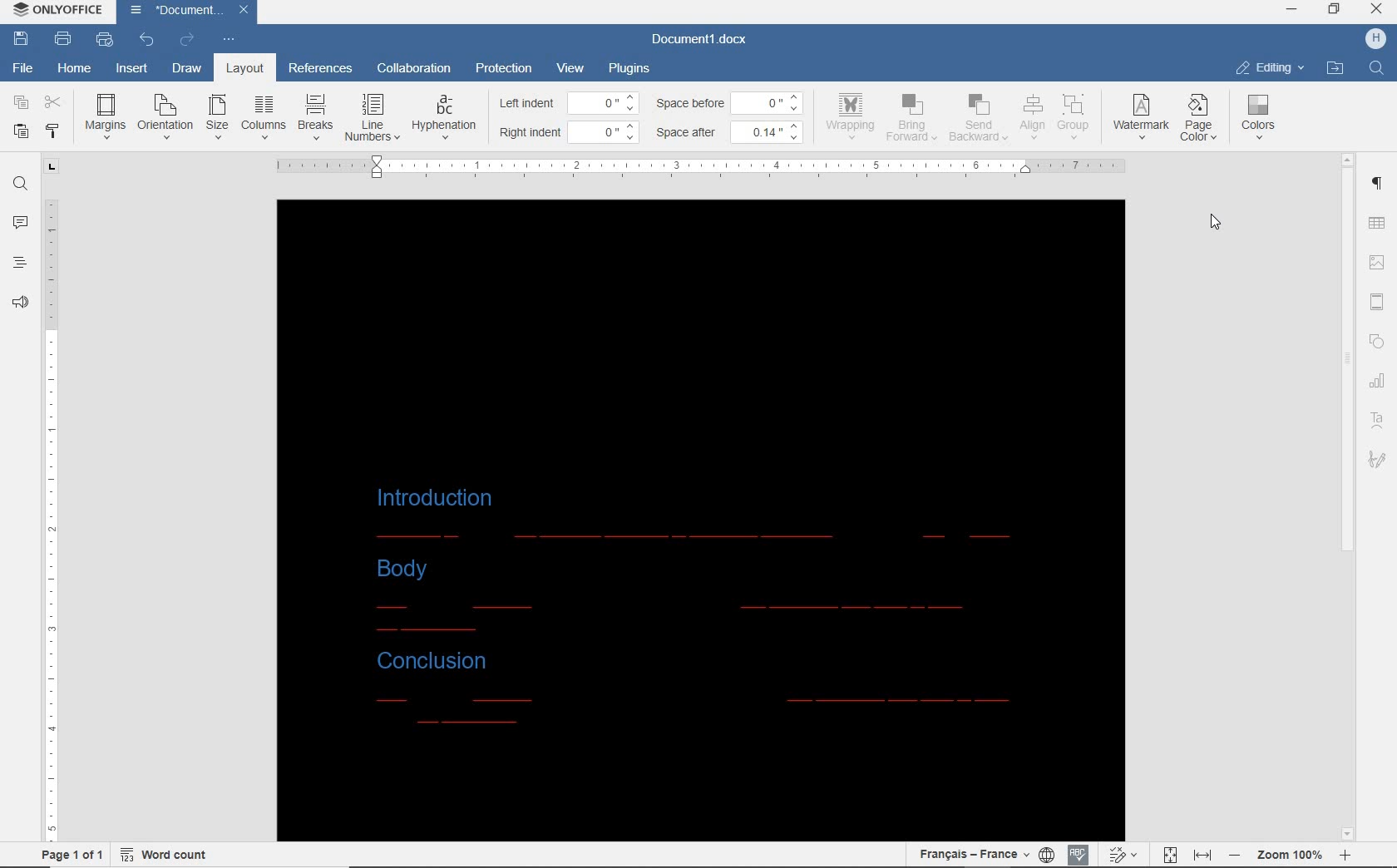  Describe the element at coordinates (175, 12) in the screenshot. I see `document name` at that location.